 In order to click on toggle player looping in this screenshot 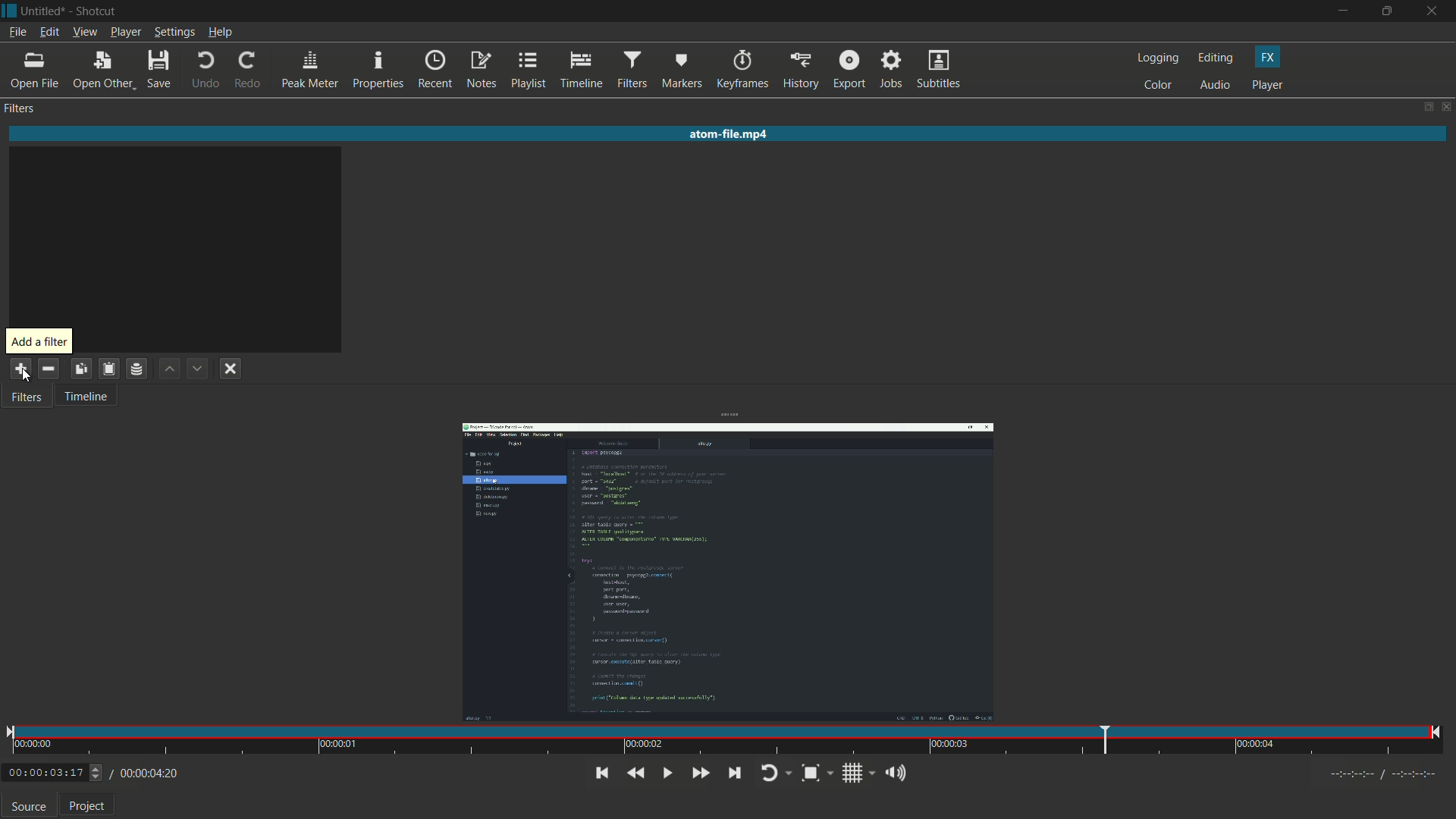, I will do `click(777, 773)`.